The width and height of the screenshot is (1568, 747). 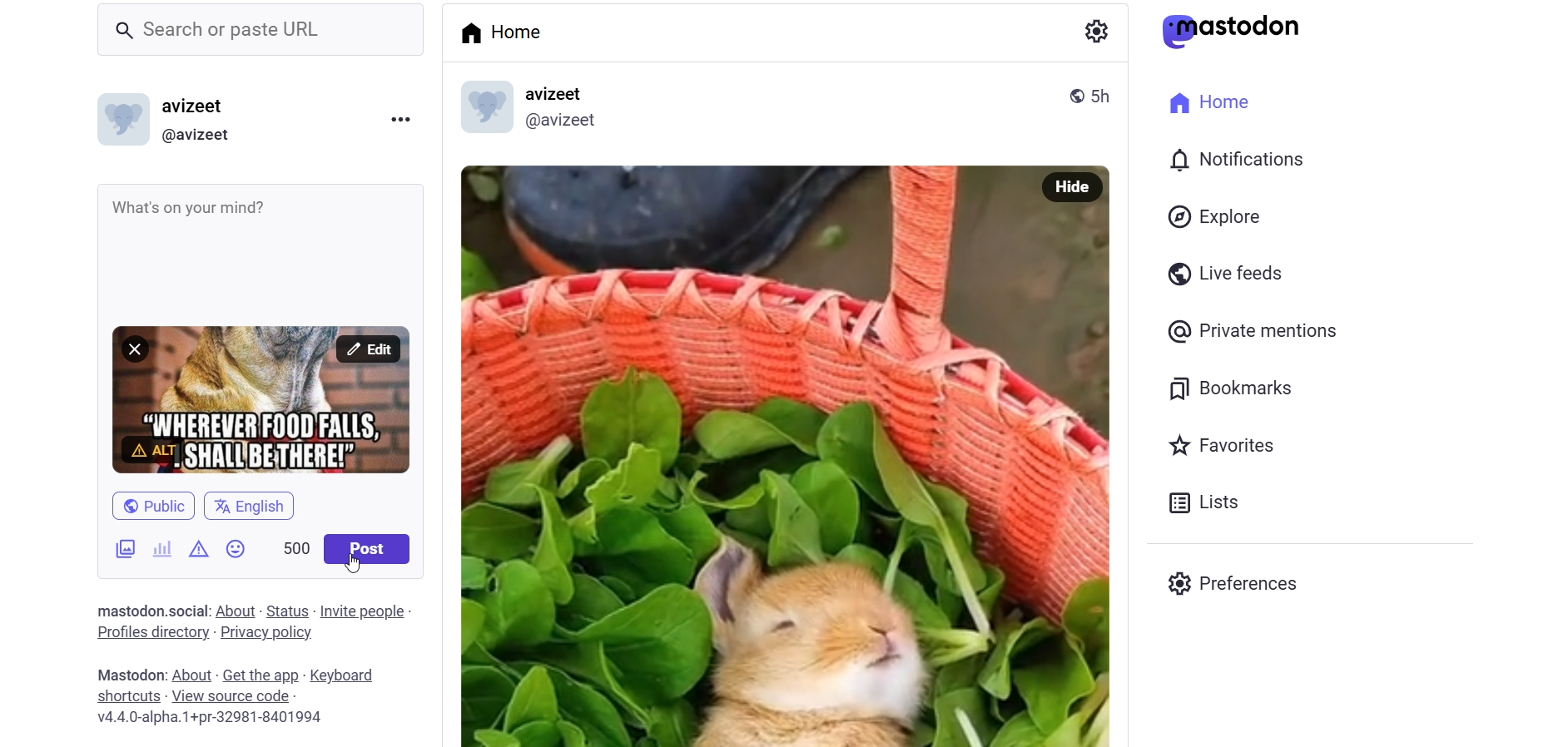 What do you see at coordinates (1104, 95) in the screenshot?
I see `last modified` at bounding box center [1104, 95].